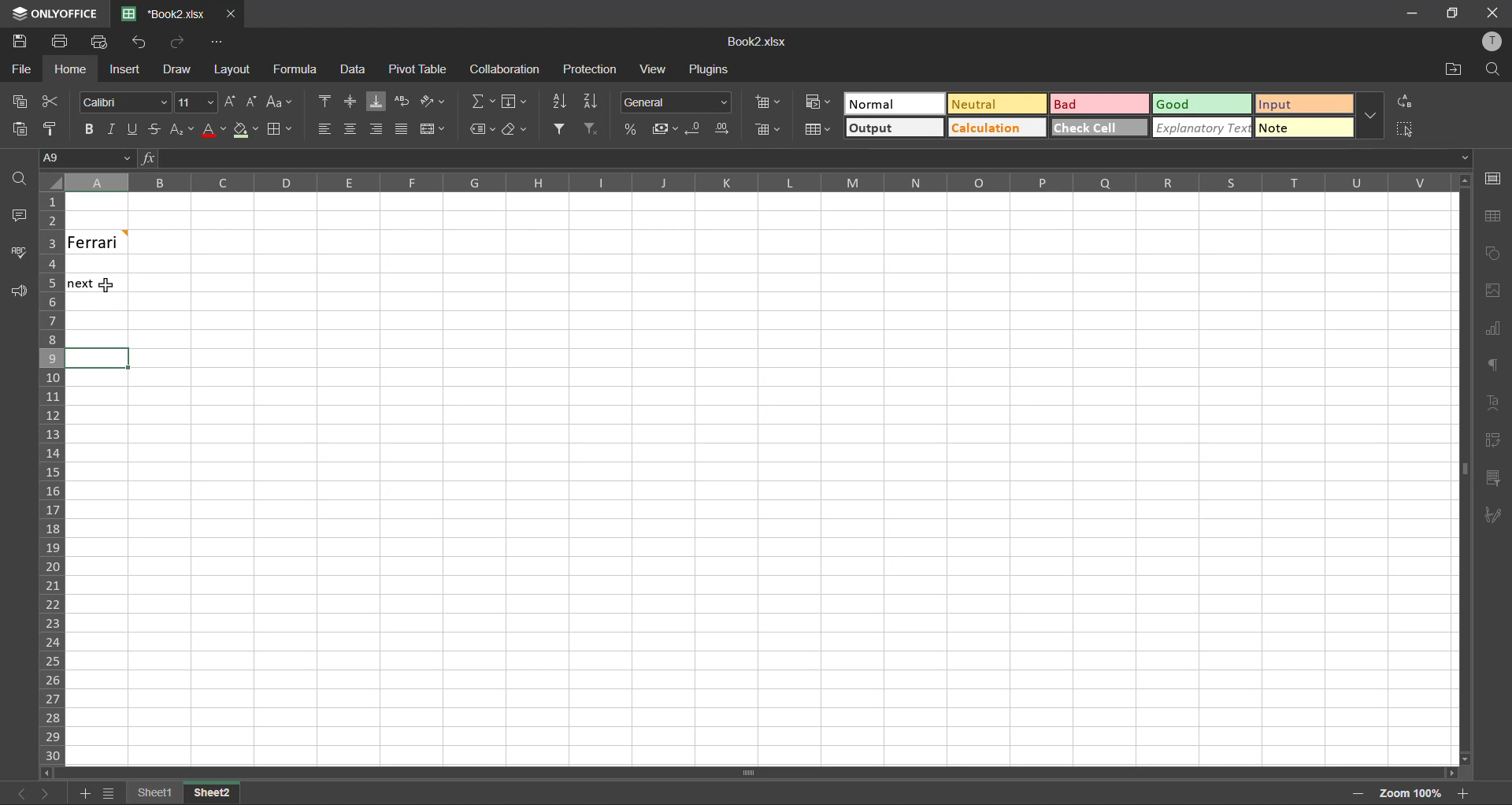 Image resolution: width=1512 pixels, height=805 pixels. Describe the element at coordinates (592, 70) in the screenshot. I see `protection` at that location.